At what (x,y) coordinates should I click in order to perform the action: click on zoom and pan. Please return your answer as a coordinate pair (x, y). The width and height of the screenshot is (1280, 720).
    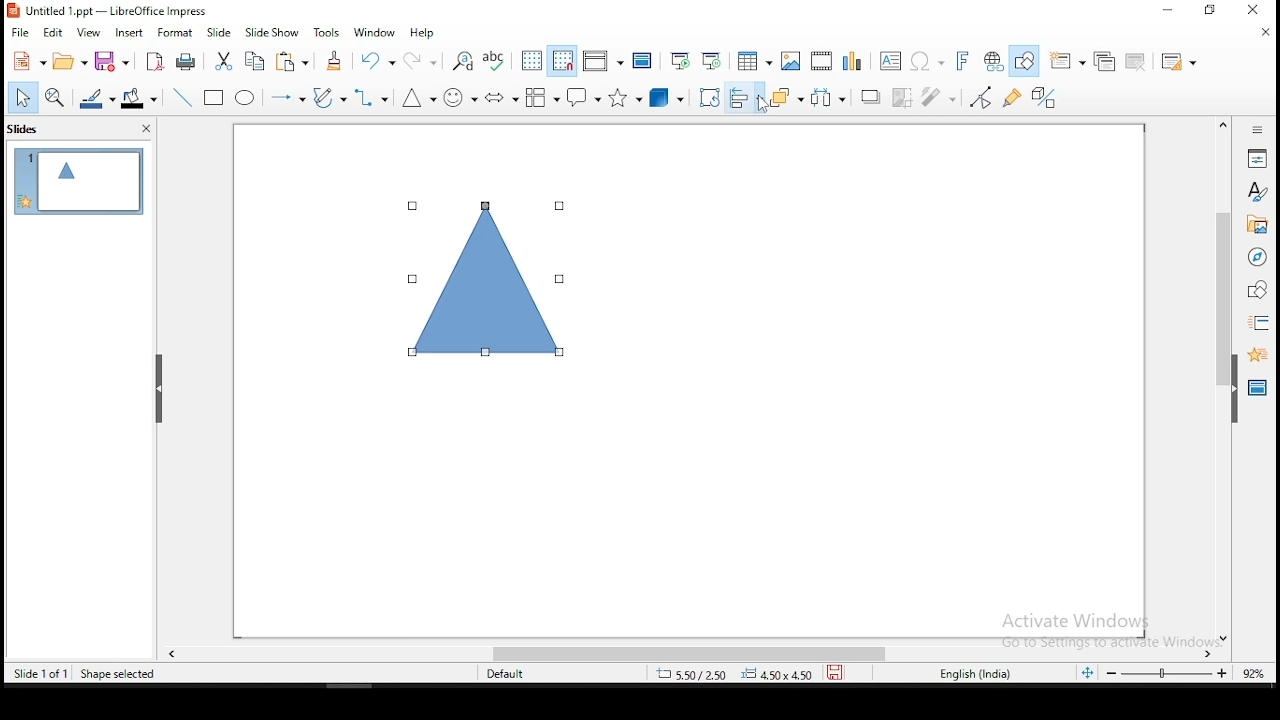
    Looking at the image, I should click on (58, 97).